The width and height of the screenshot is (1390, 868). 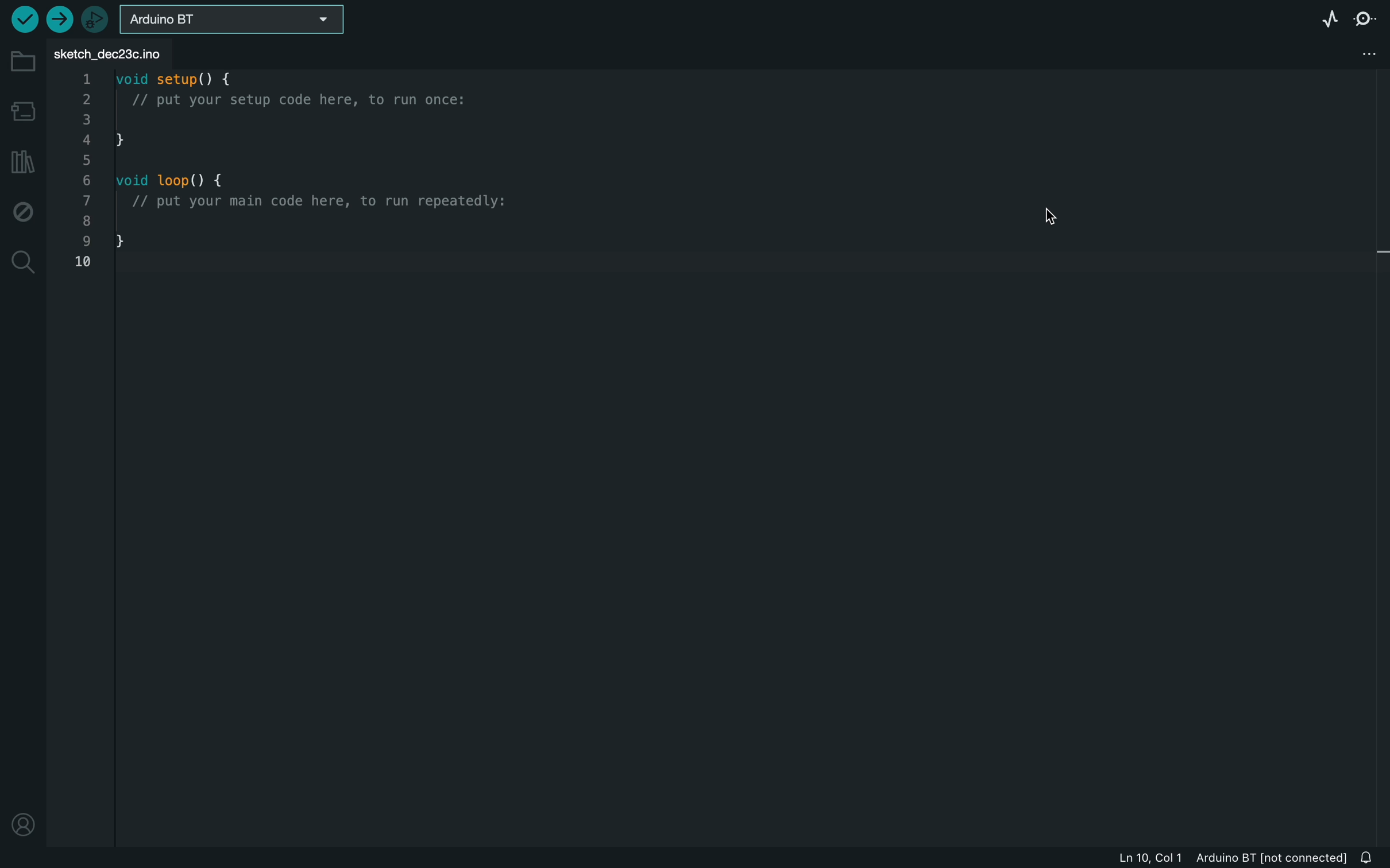 What do you see at coordinates (1048, 212) in the screenshot?
I see `cursor` at bounding box center [1048, 212].